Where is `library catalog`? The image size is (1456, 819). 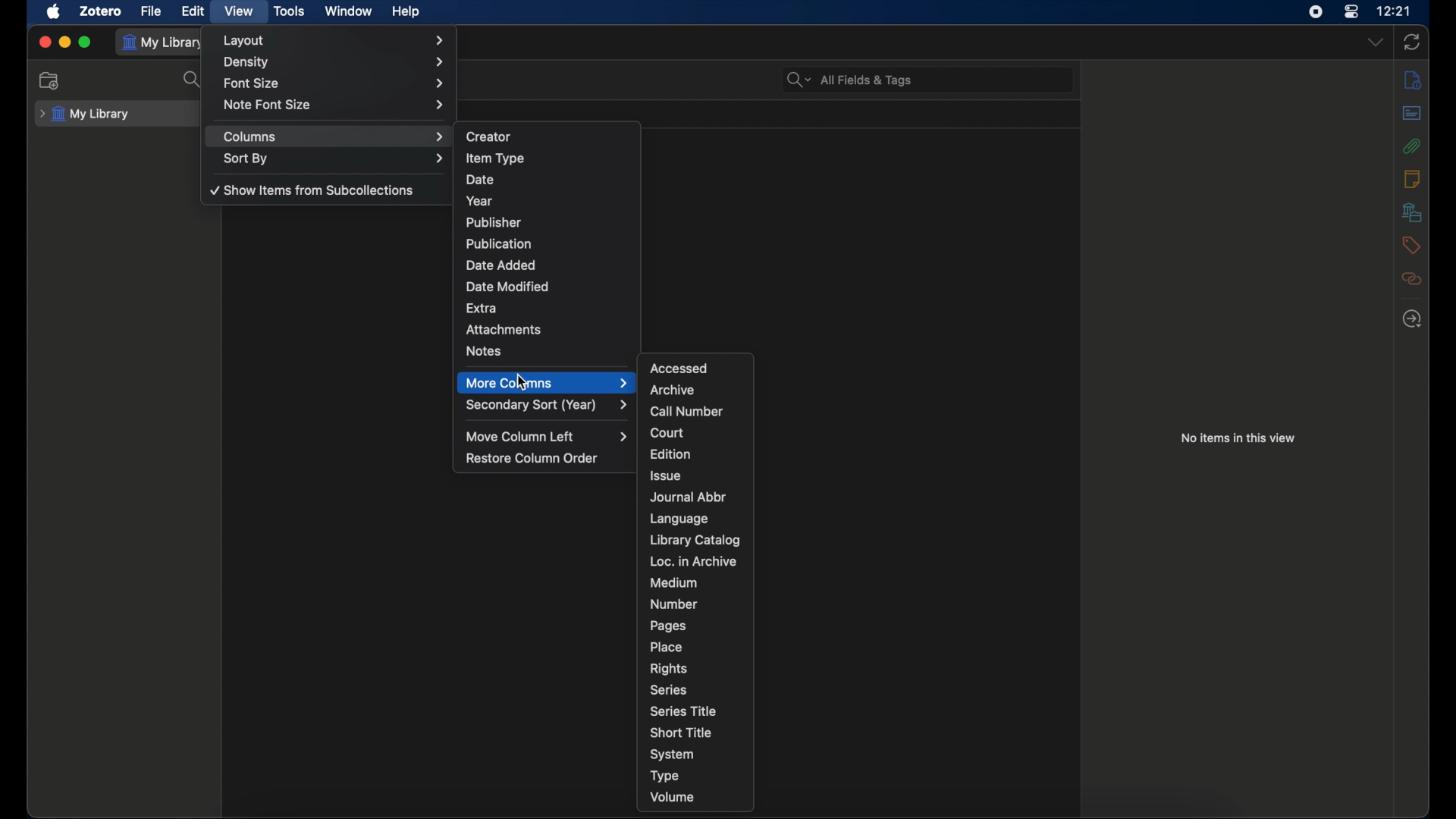
library catalog is located at coordinates (696, 540).